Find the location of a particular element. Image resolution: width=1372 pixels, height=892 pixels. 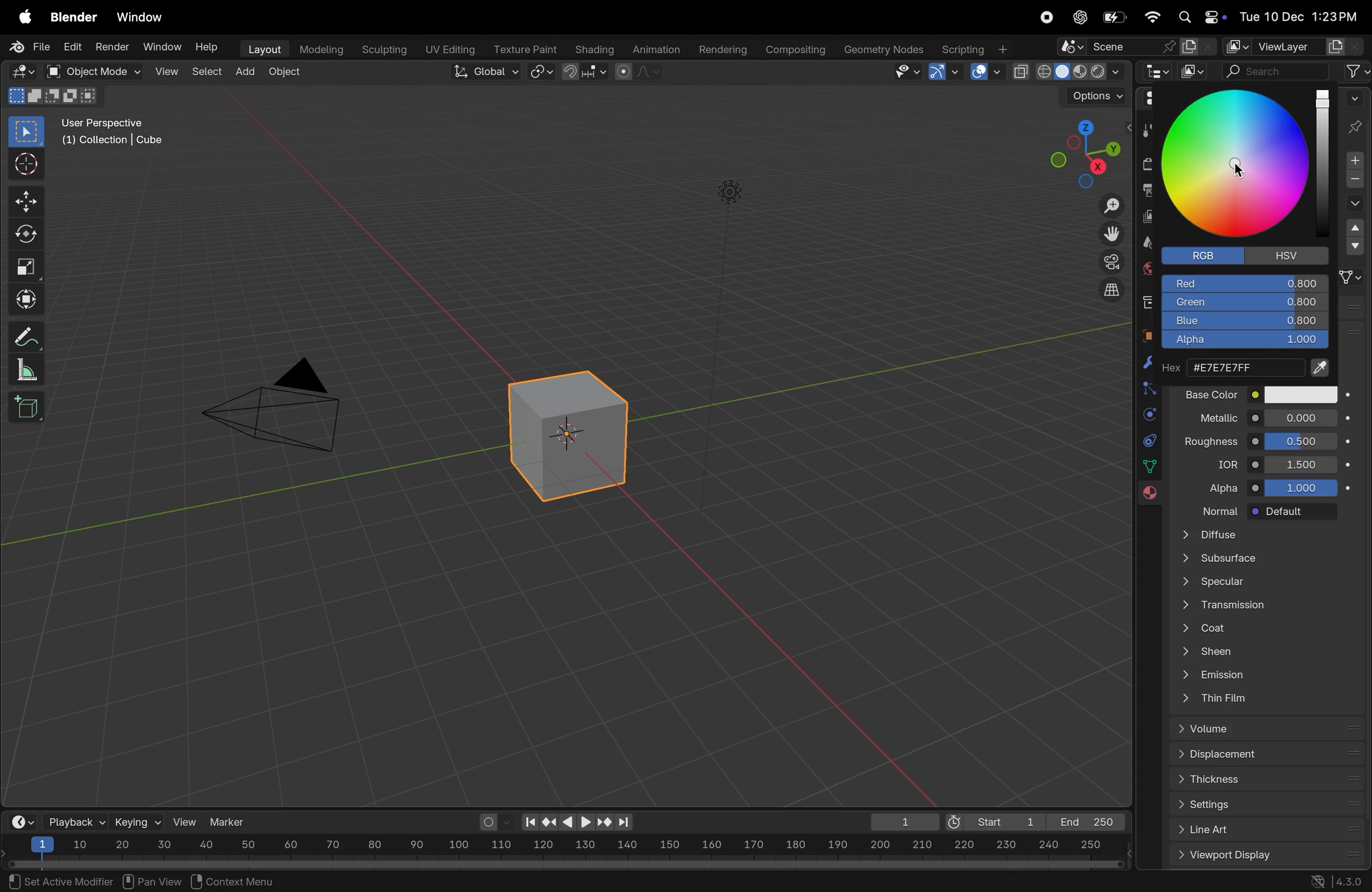

blender is located at coordinates (74, 18).